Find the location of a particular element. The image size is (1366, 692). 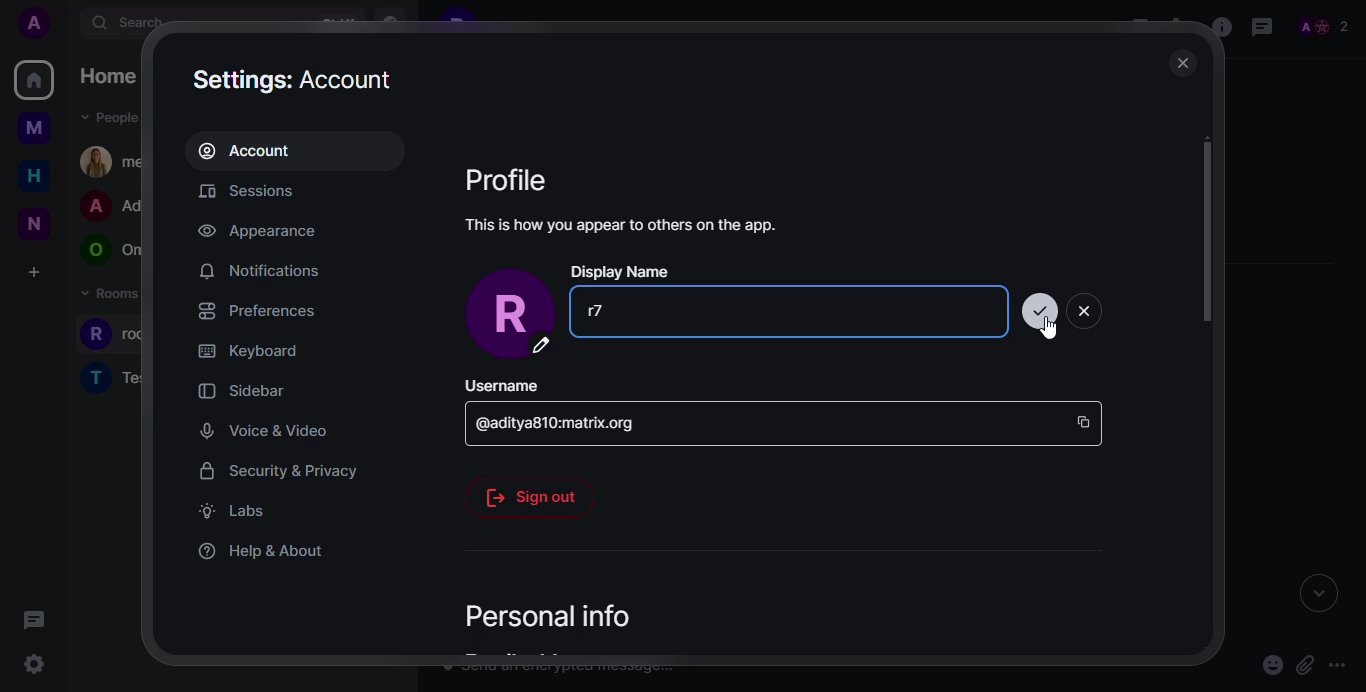

people is located at coordinates (112, 207).